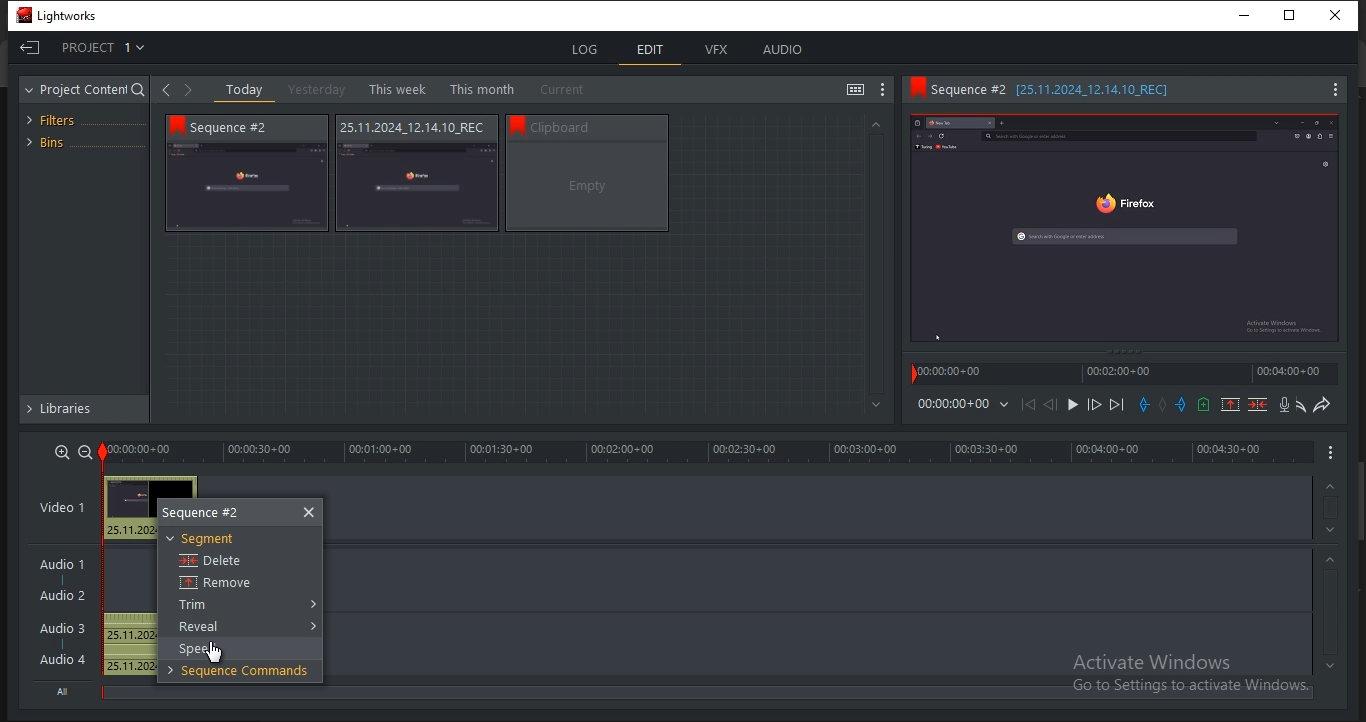 The image size is (1366, 722). I want to click on Audio 2, so click(62, 597).